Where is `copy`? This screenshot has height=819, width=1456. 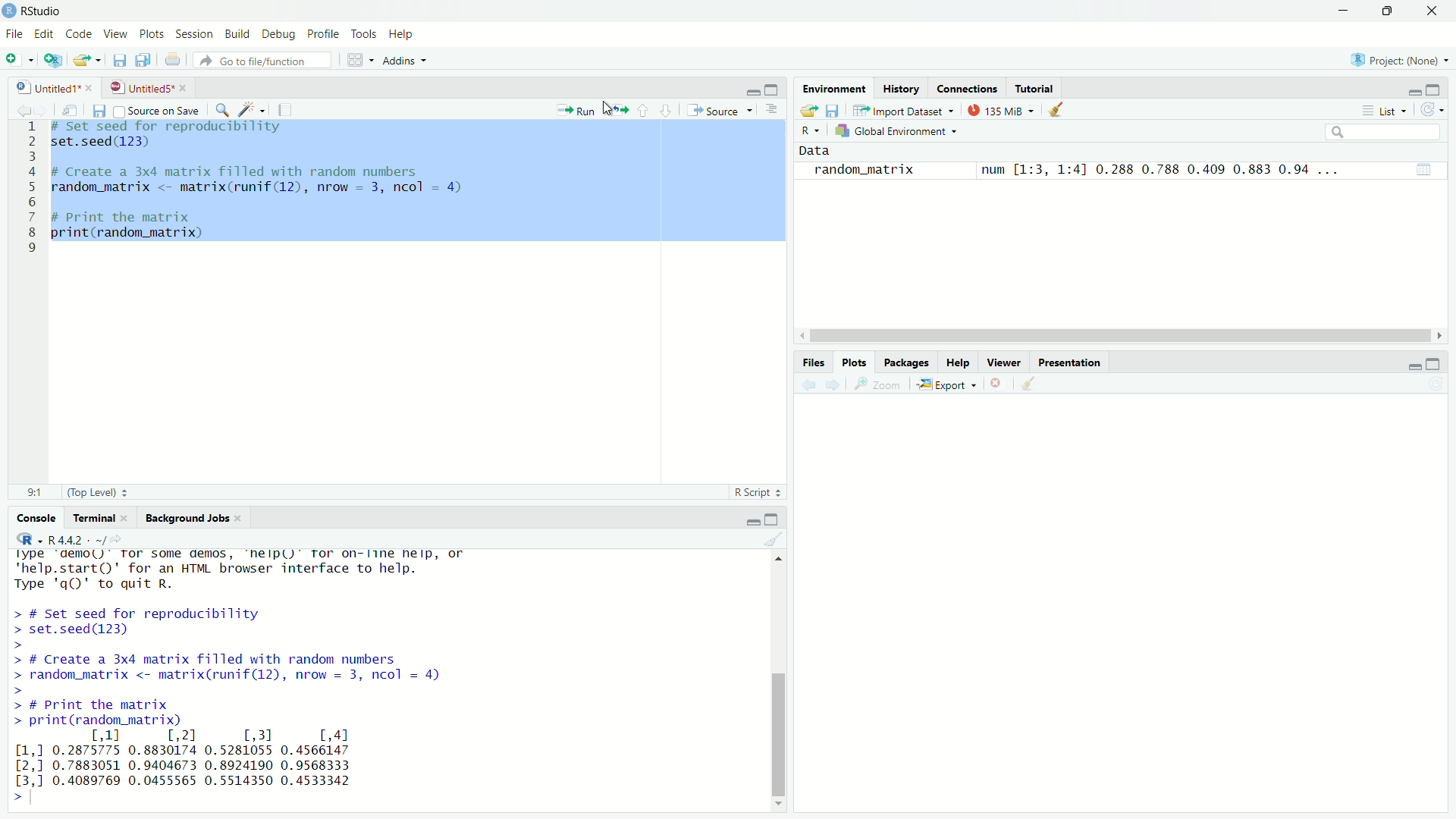 copy is located at coordinates (143, 59).